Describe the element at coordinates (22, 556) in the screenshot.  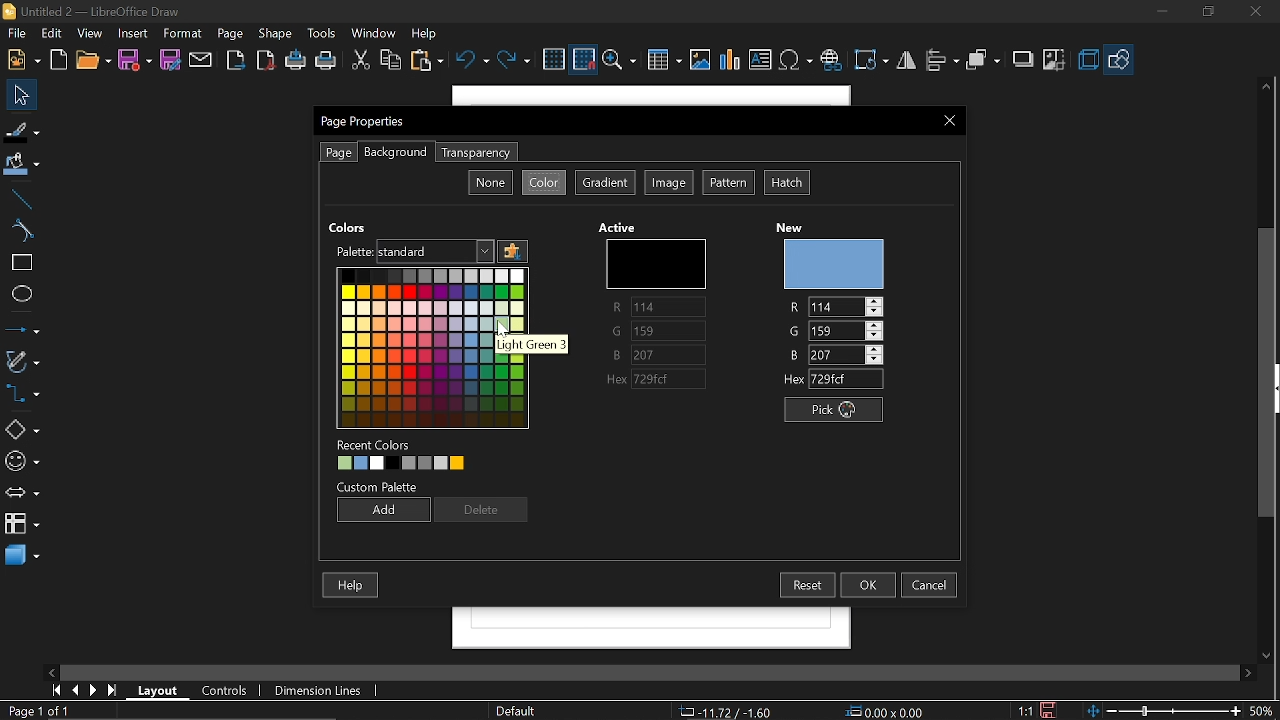
I see `3d shapes` at that location.